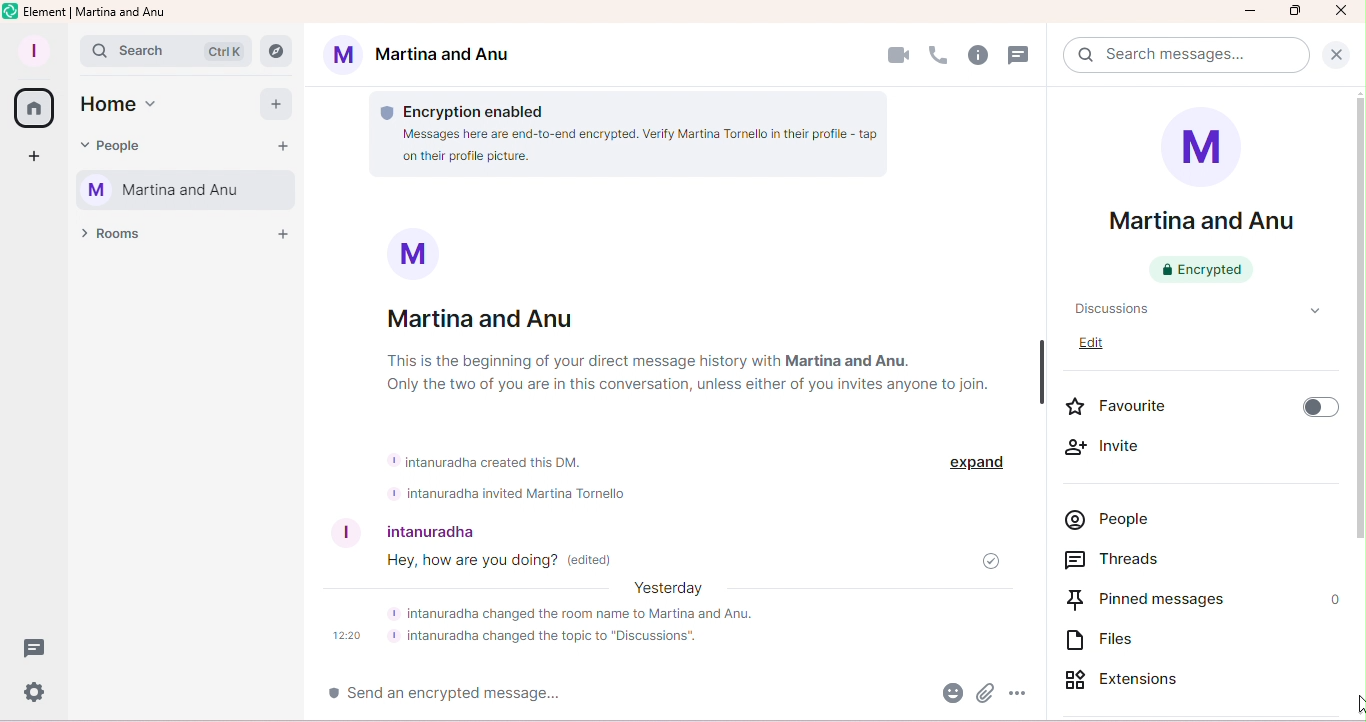  What do you see at coordinates (1338, 55) in the screenshot?
I see `Close` at bounding box center [1338, 55].